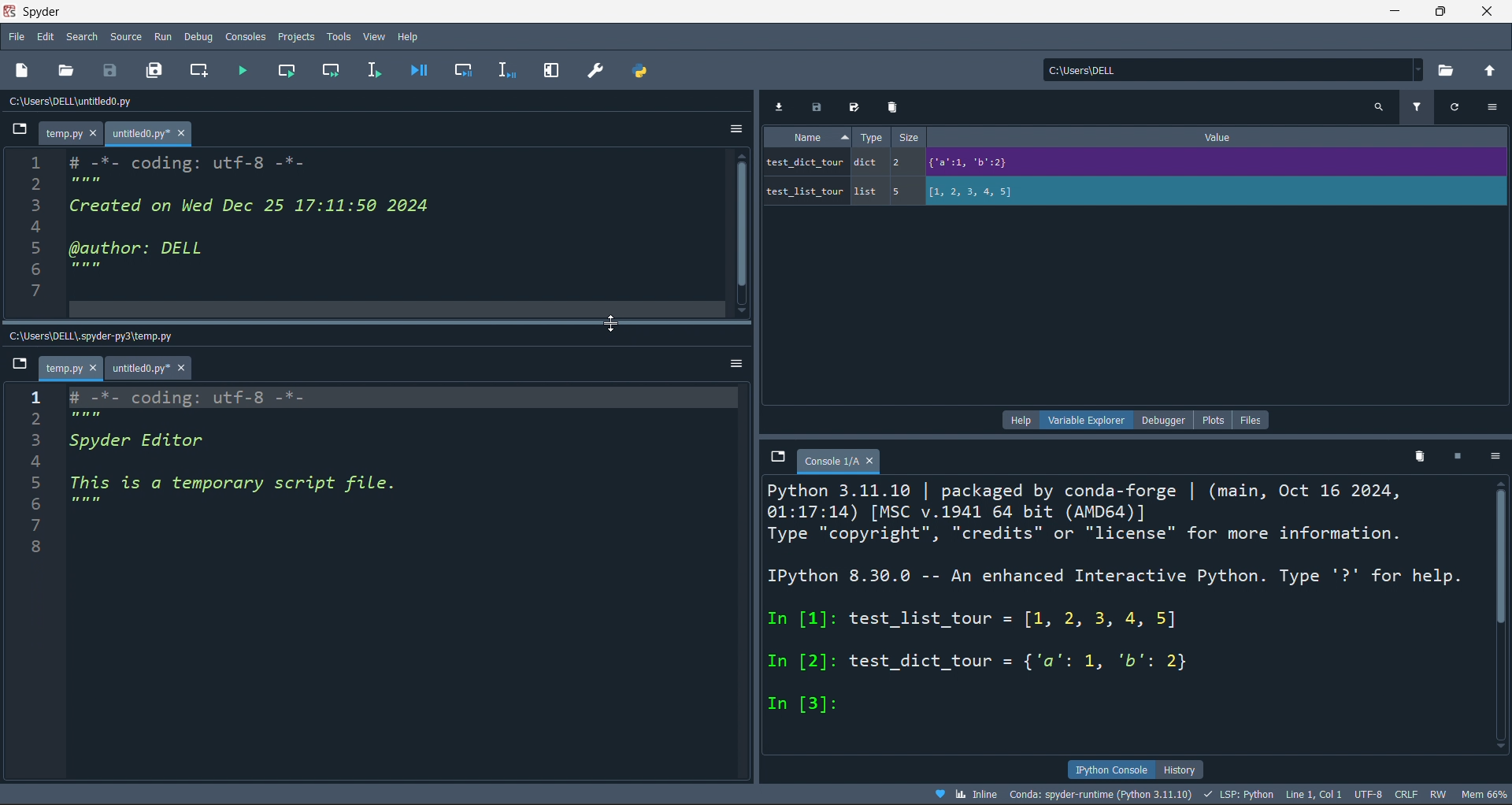 This screenshot has height=805, width=1512. What do you see at coordinates (1493, 71) in the screenshot?
I see `open directory` at bounding box center [1493, 71].